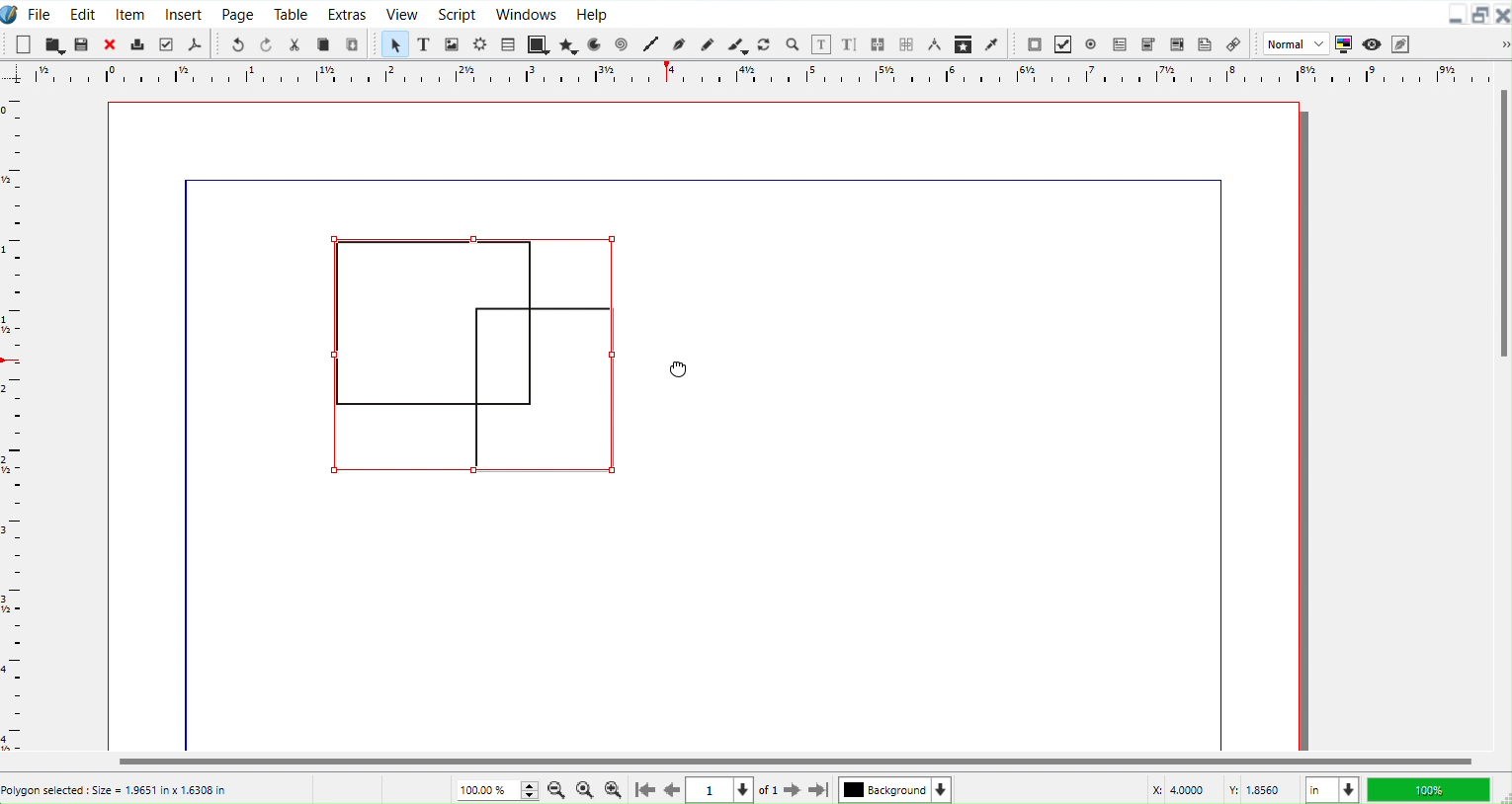 The width and height of the screenshot is (1512, 804). Describe the element at coordinates (585, 789) in the screenshot. I see `Zoom to 100%` at that location.